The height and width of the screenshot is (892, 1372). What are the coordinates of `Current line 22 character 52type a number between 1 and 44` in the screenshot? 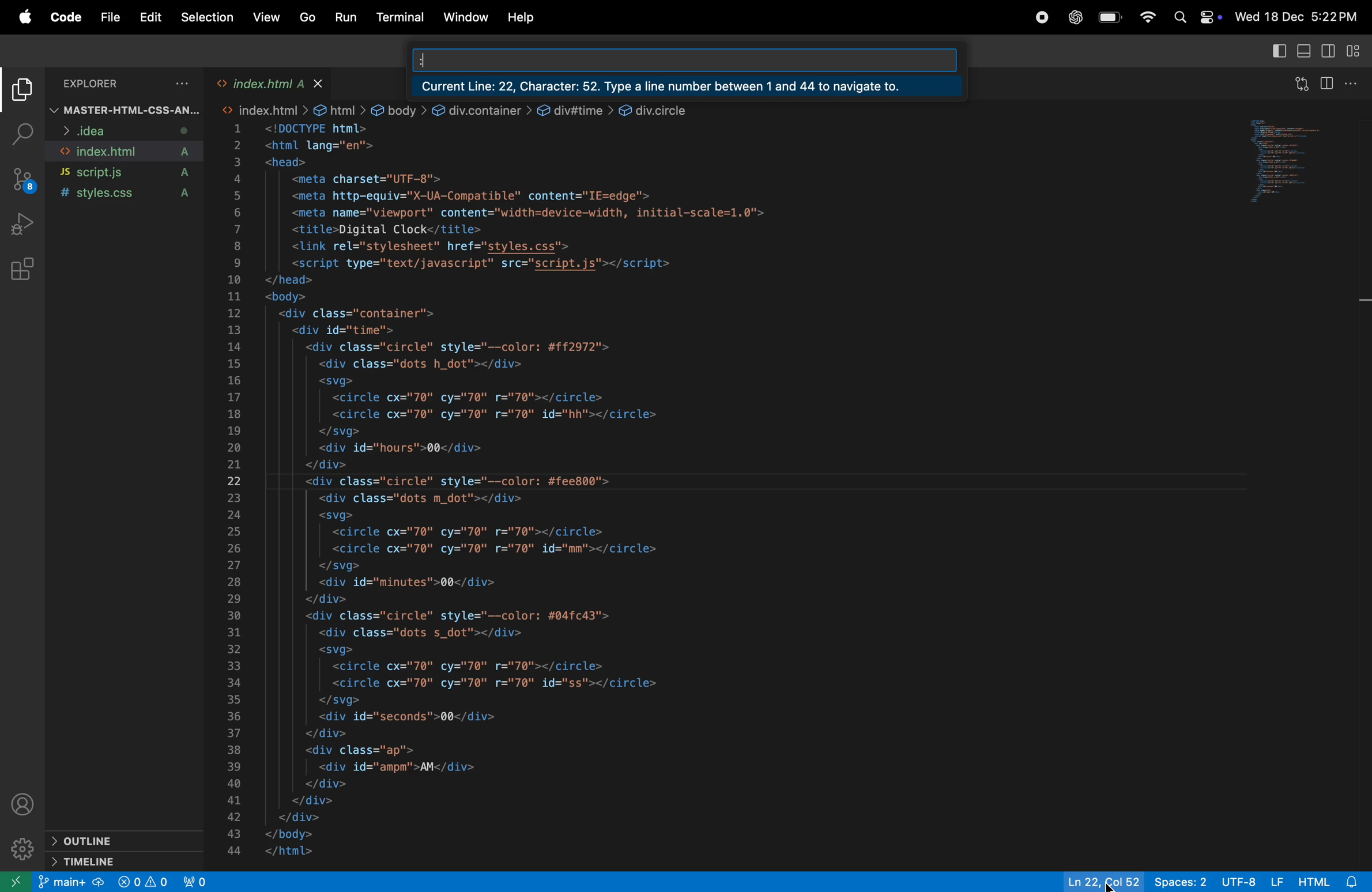 It's located at (685, 86).